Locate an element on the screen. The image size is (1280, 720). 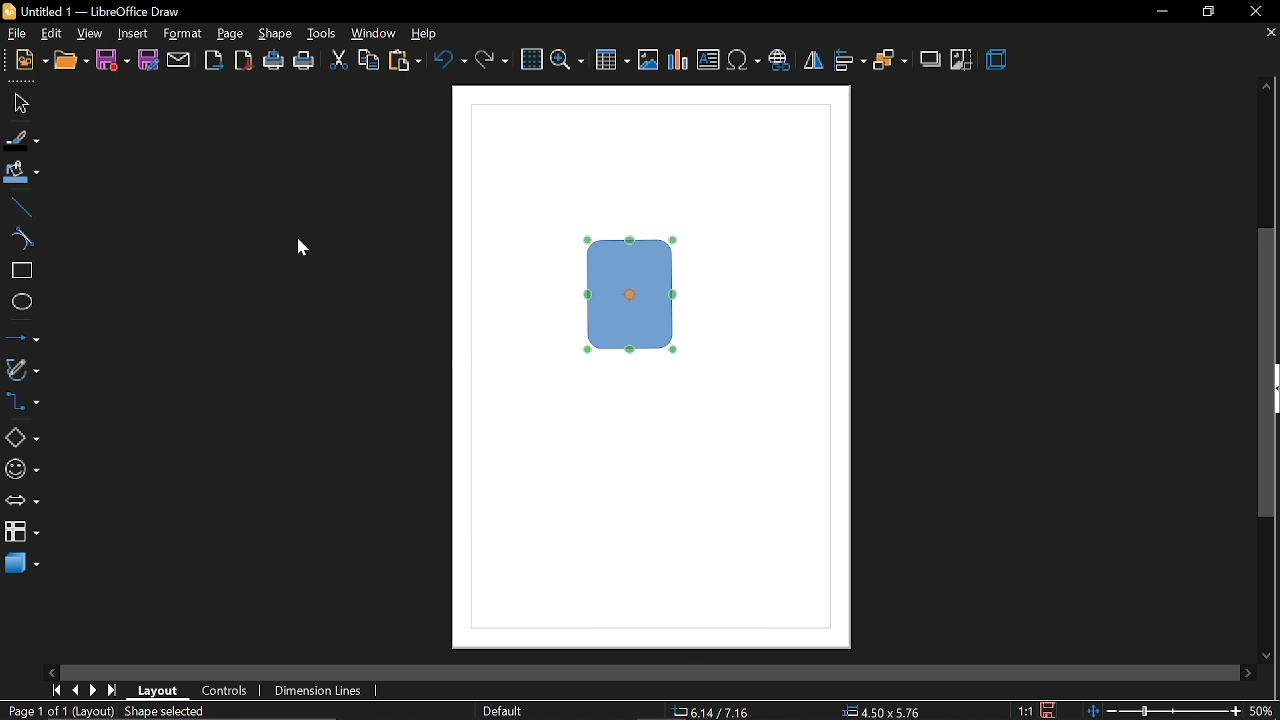
layout is located at coordinates (158, 689).